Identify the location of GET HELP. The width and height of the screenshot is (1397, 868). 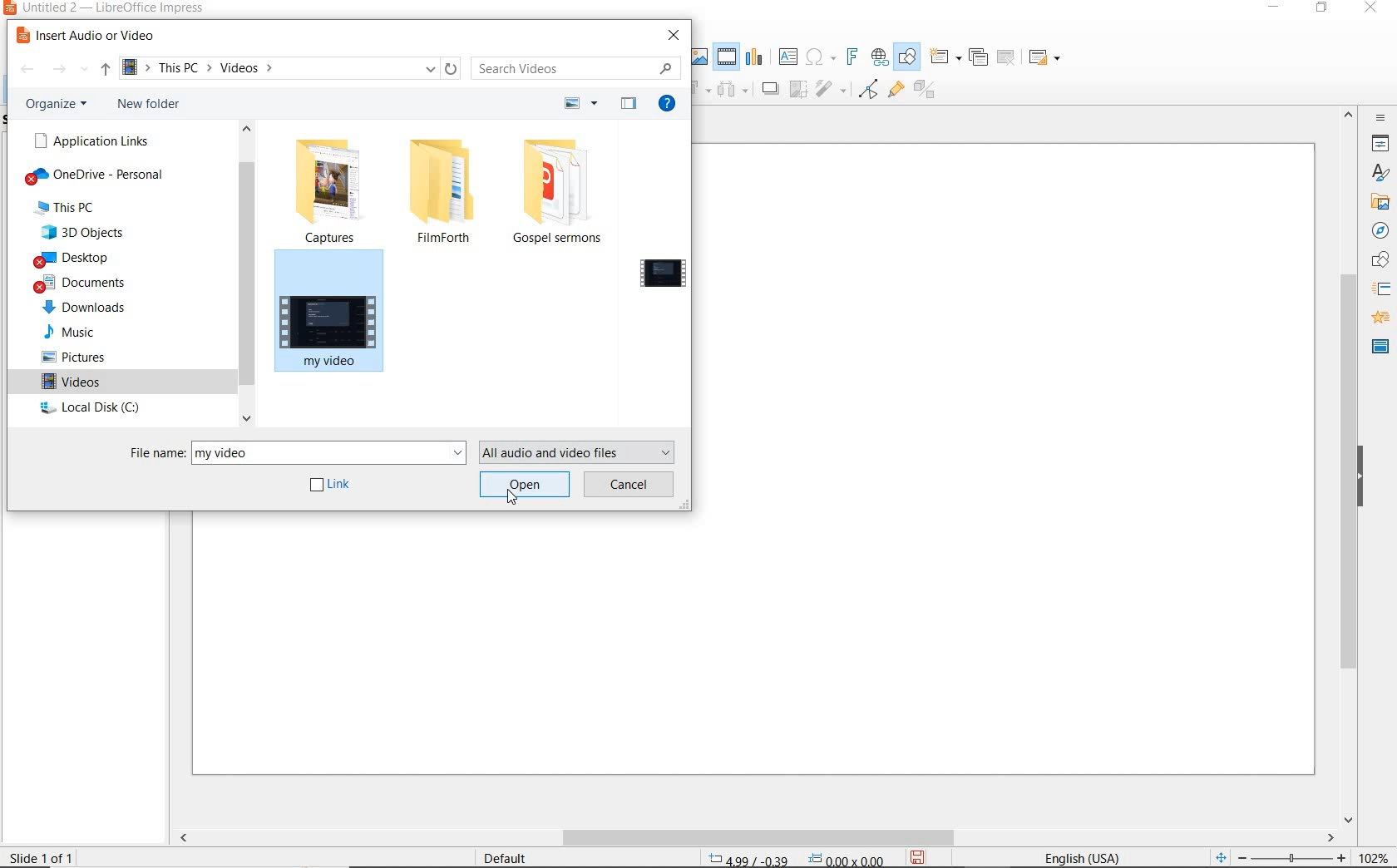
(670, 106).